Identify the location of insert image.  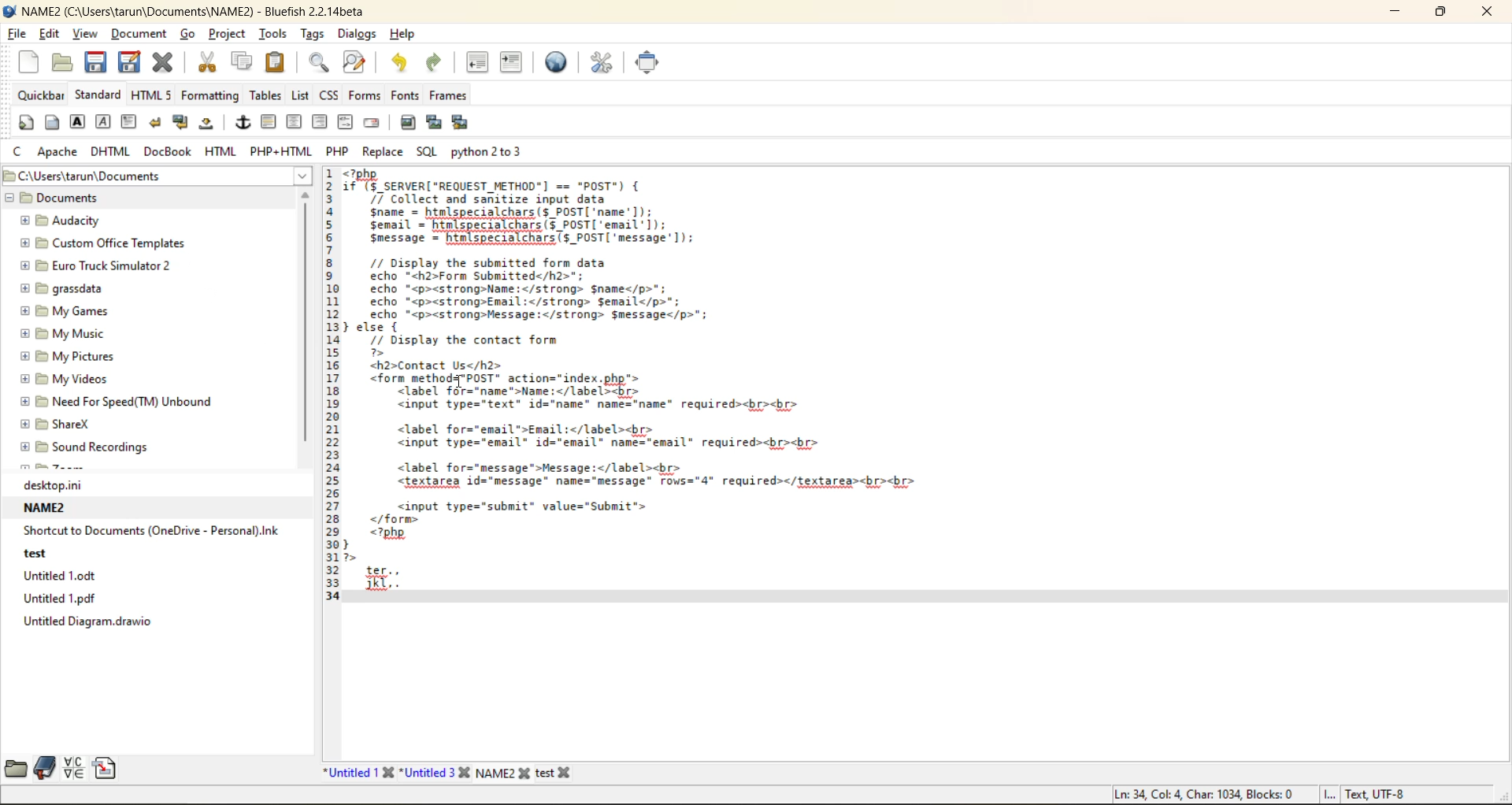
(406, 123).